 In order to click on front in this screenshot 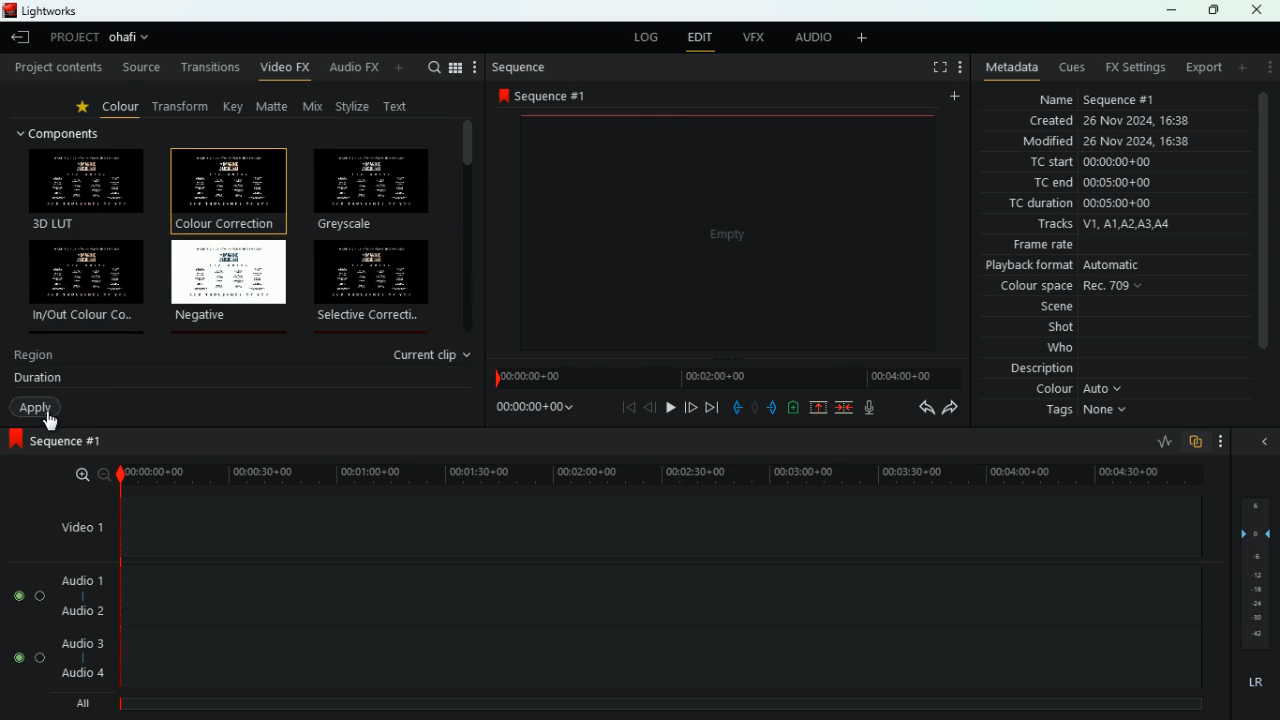, I will do `click(771, 407)`.